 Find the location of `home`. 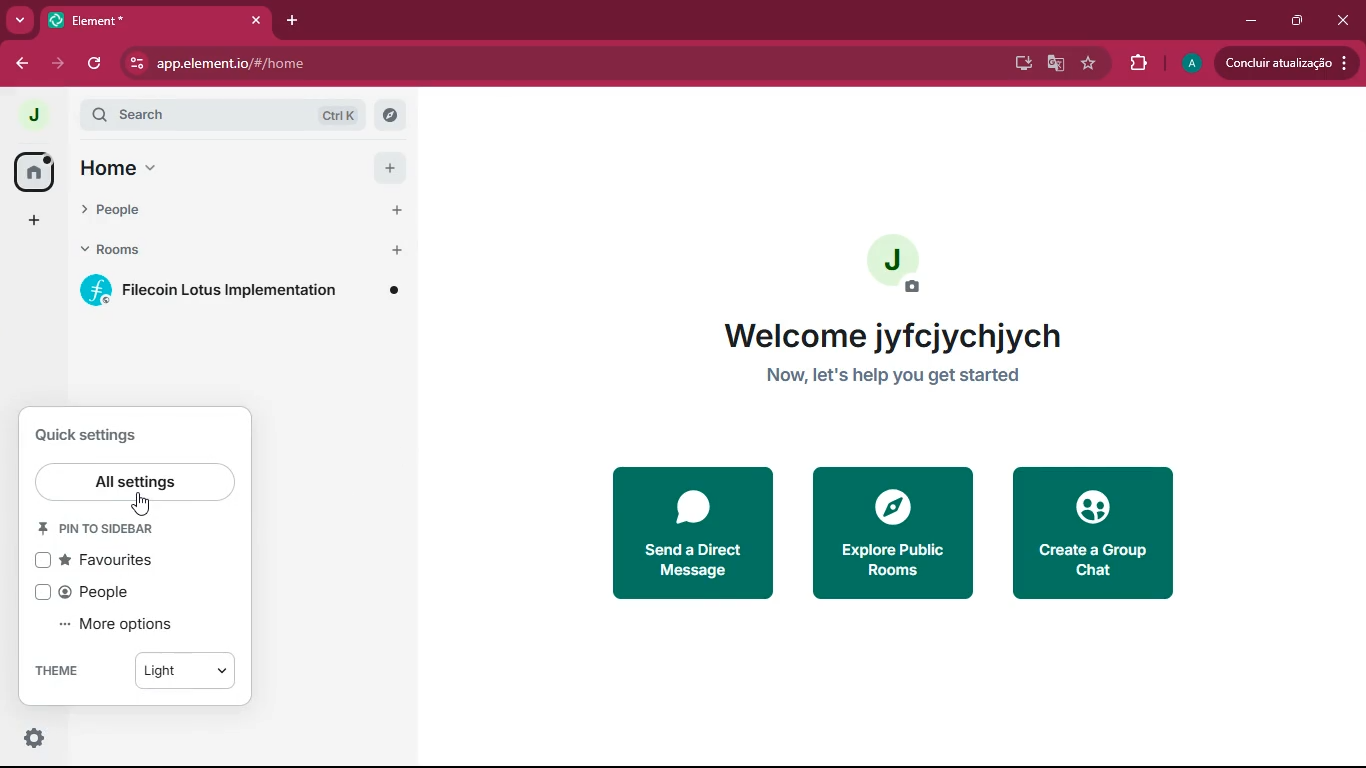

home is located at coordinates (206, 168).